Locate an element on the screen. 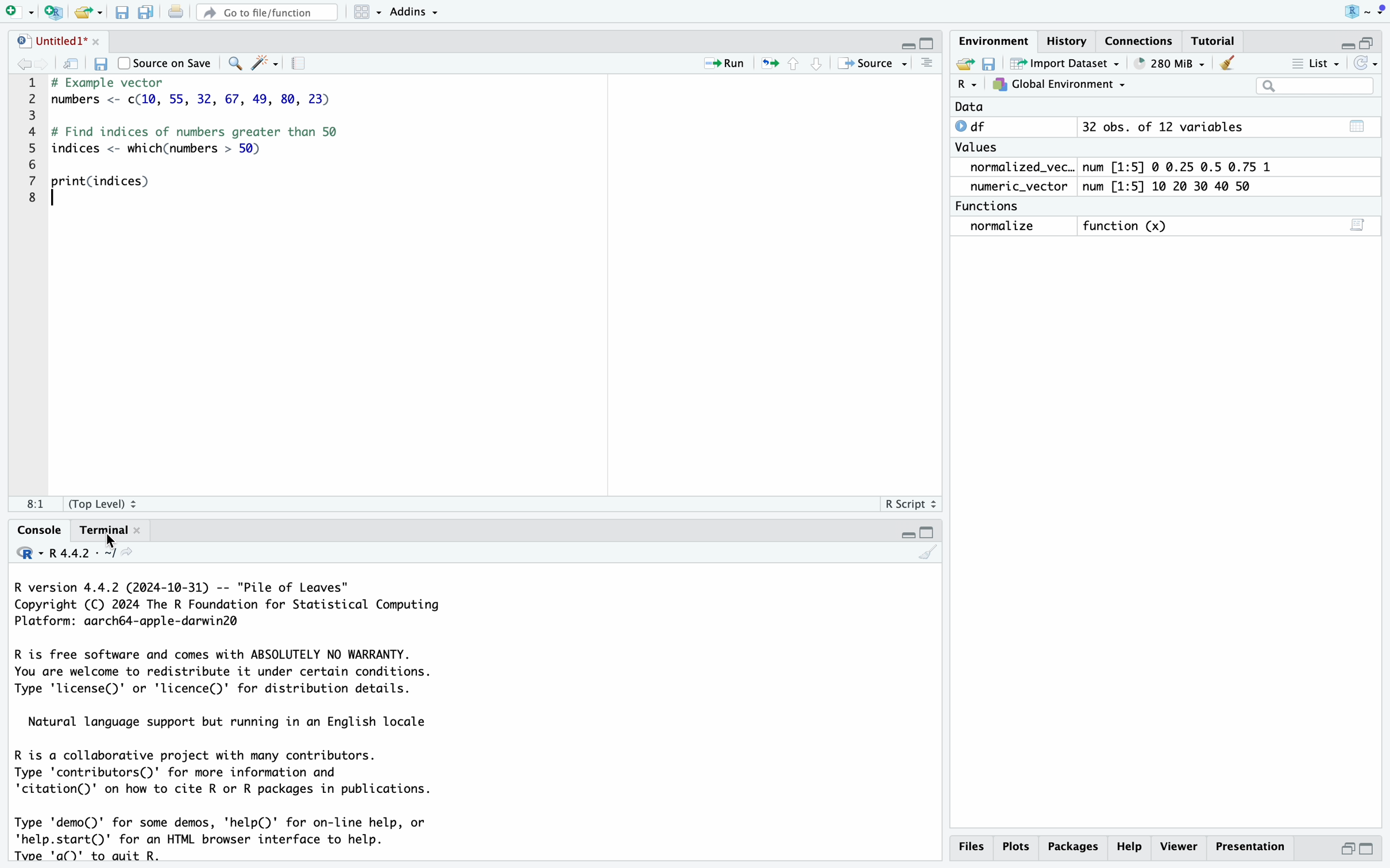 This screenshot has width=1390, height=868. MINIMISE is located at coordinates (907, 41).